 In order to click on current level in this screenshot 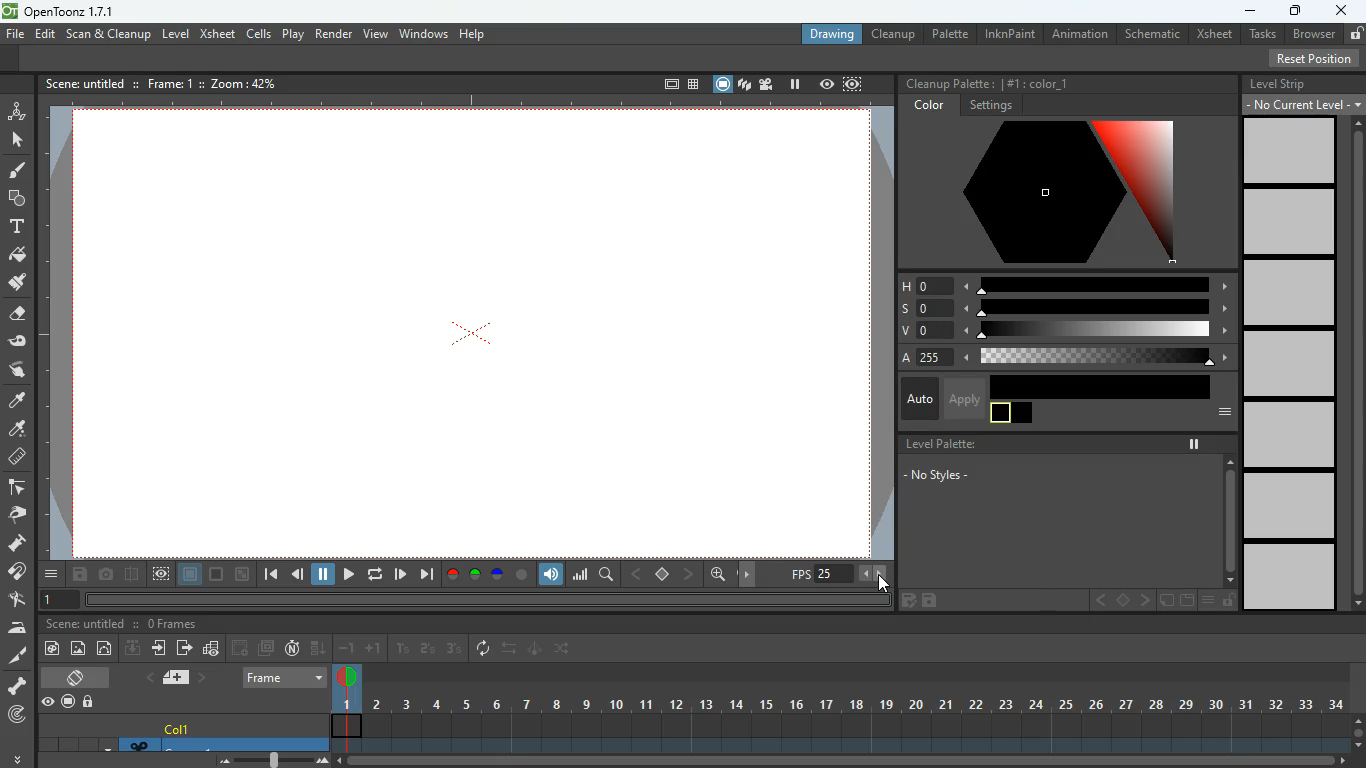, I will do `click(1303, 104)`.